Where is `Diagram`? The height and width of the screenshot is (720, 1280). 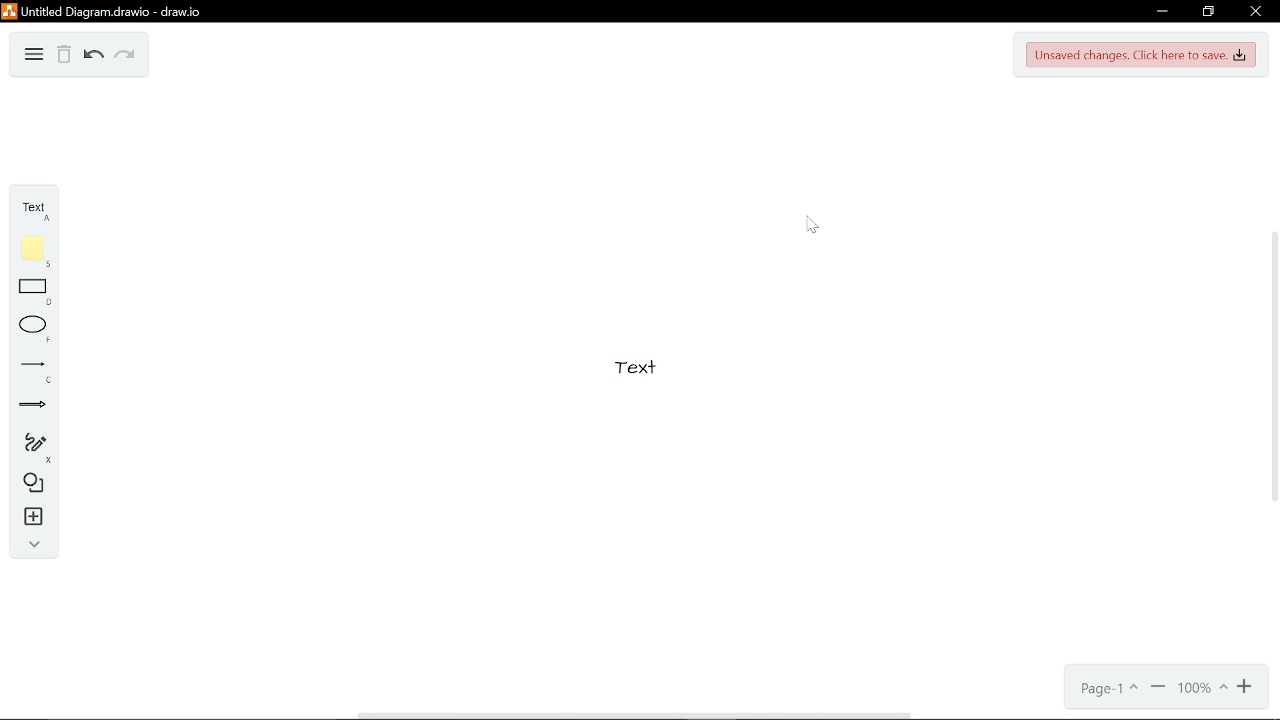
Diagram is located at coordinates (35, 53).